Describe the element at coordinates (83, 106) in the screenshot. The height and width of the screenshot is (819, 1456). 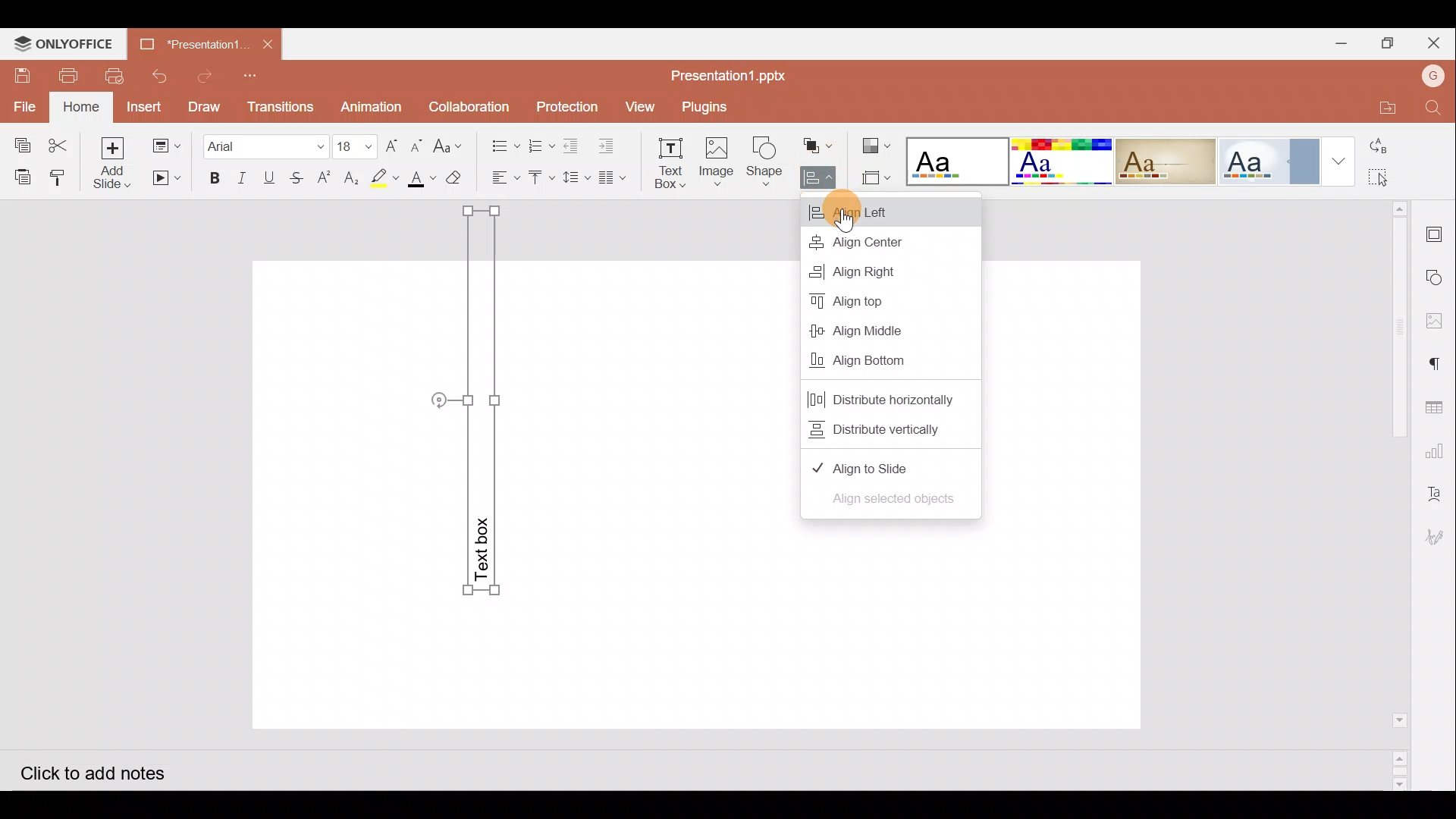
I see `Home` at that location.